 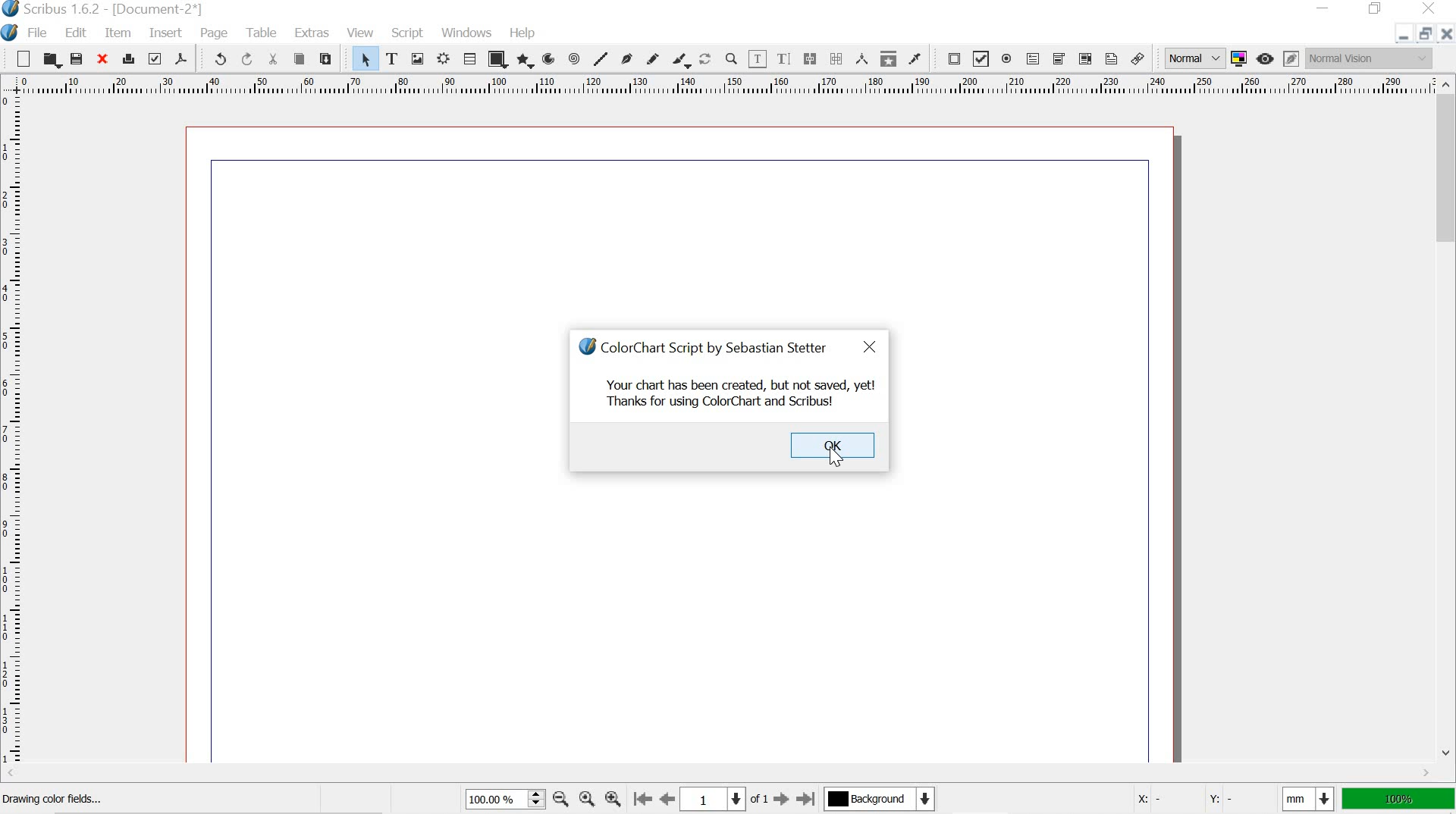 What do you see at coordinates (706, 60) in the screenshot?
I see `rotate` at bounding box center [706, 60].